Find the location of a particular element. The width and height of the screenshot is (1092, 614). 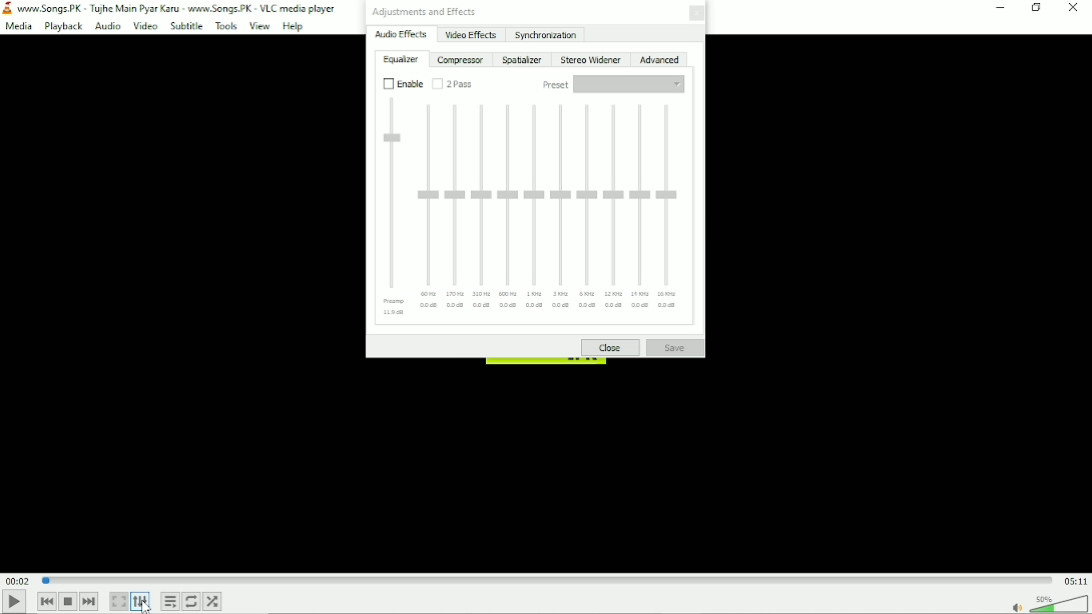

Audio effects is located at coordinates (400, 34).